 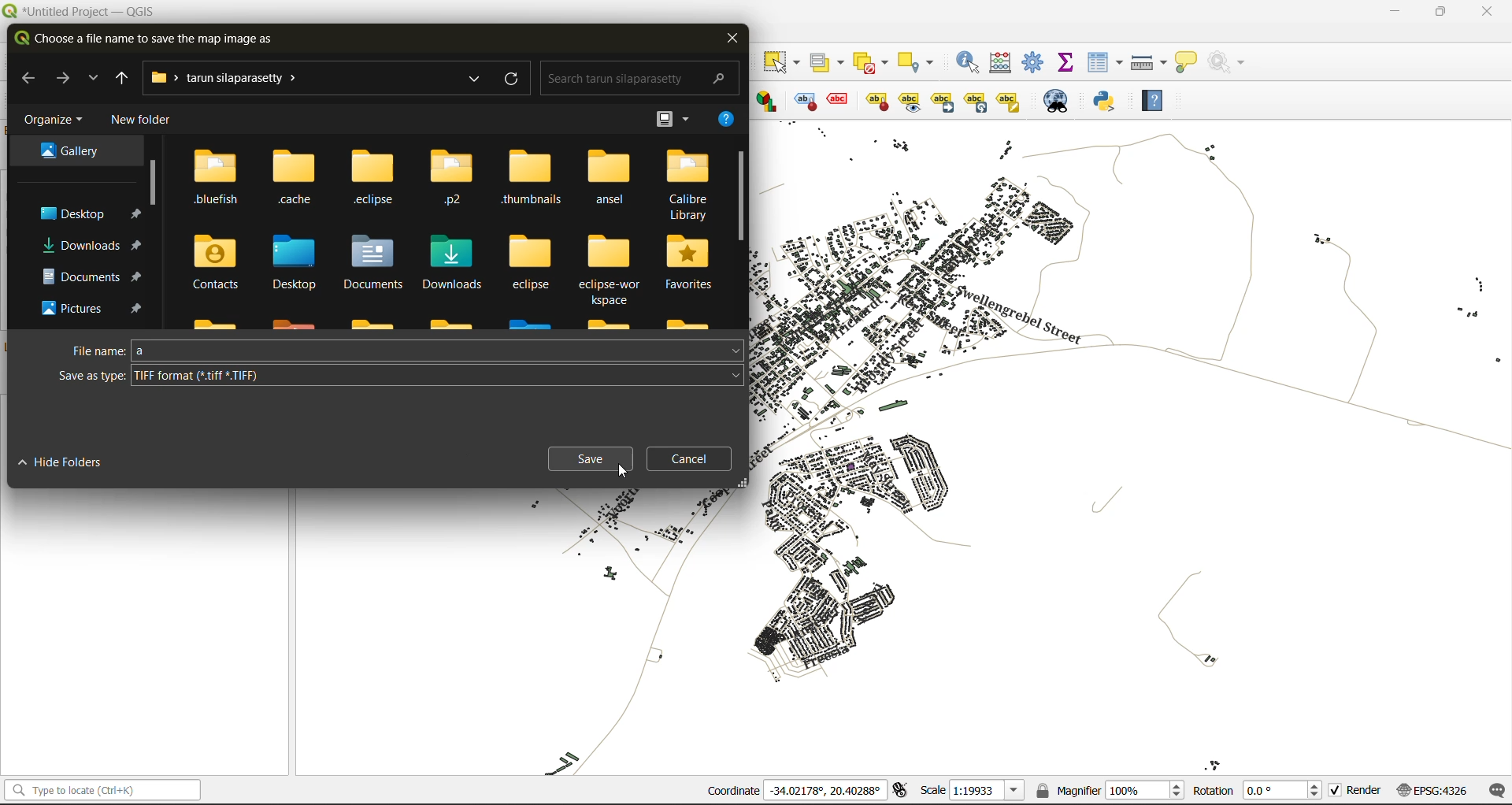 I want to click on pin/unpin lable and diagram, so click(x=840, y=101).